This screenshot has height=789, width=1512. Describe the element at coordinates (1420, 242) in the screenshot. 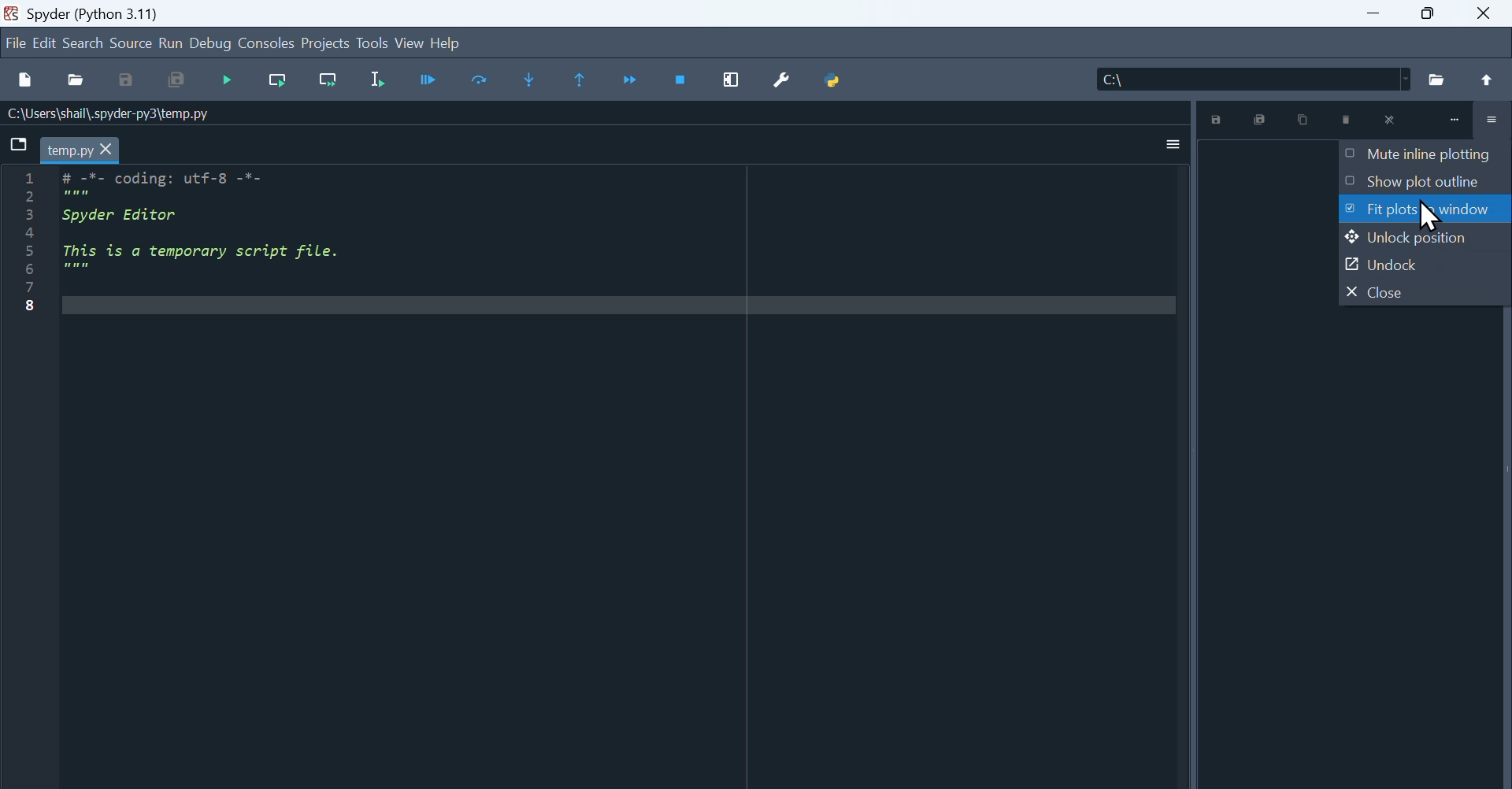

I see `Unlock position` at that location.